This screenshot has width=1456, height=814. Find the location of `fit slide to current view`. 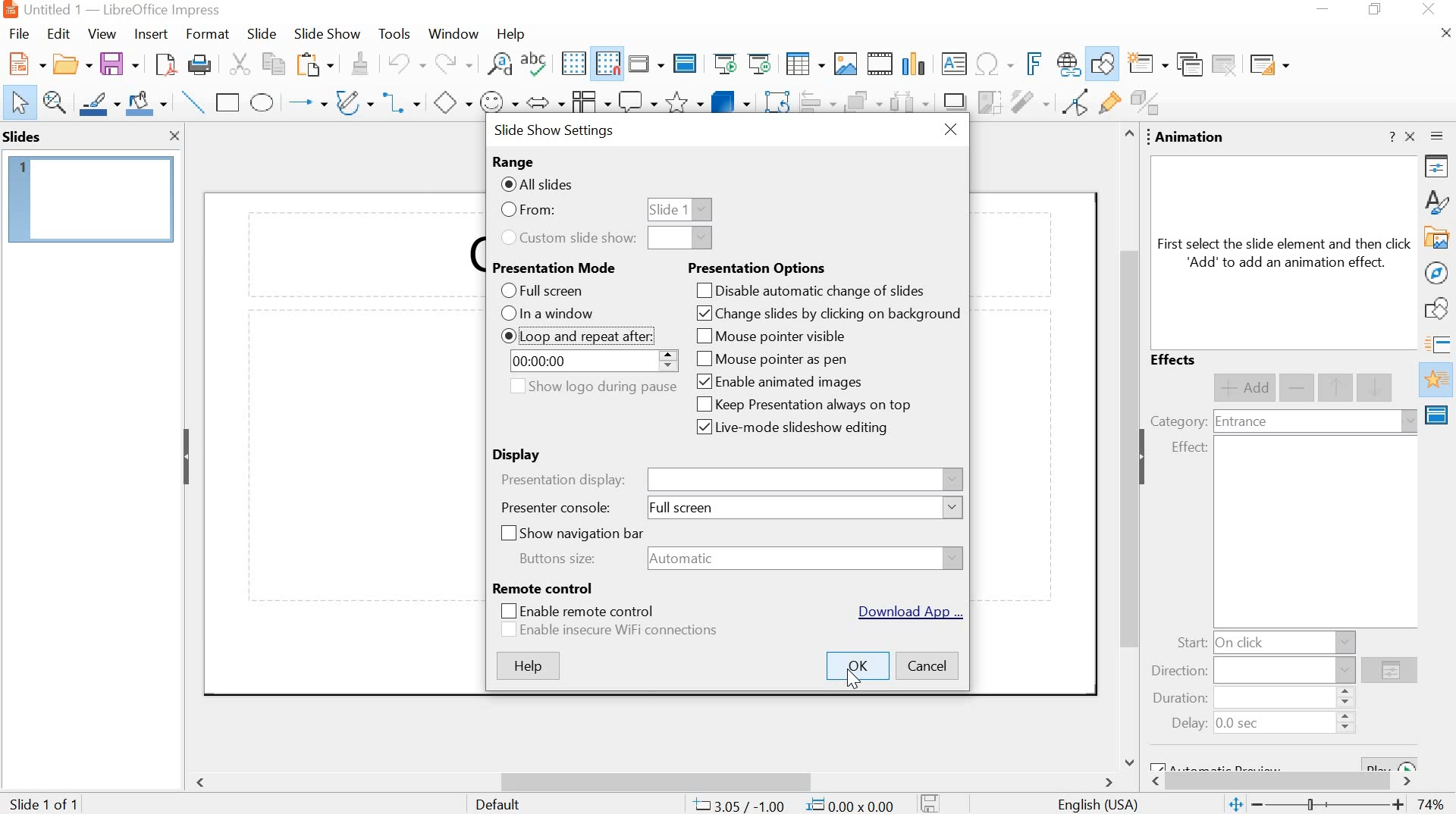

fit slide to current view is located at coordinates (1235, 806).